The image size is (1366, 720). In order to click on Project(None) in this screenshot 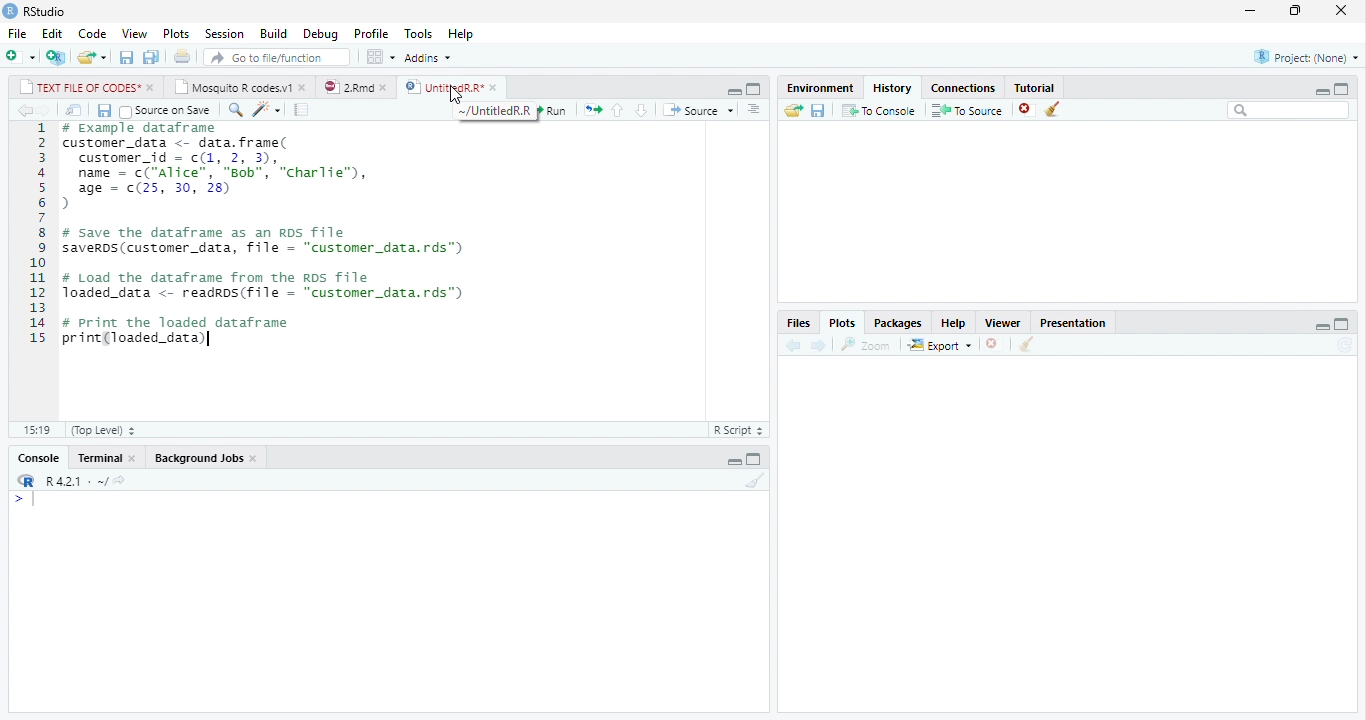, I will do `click(1307, 57)`.